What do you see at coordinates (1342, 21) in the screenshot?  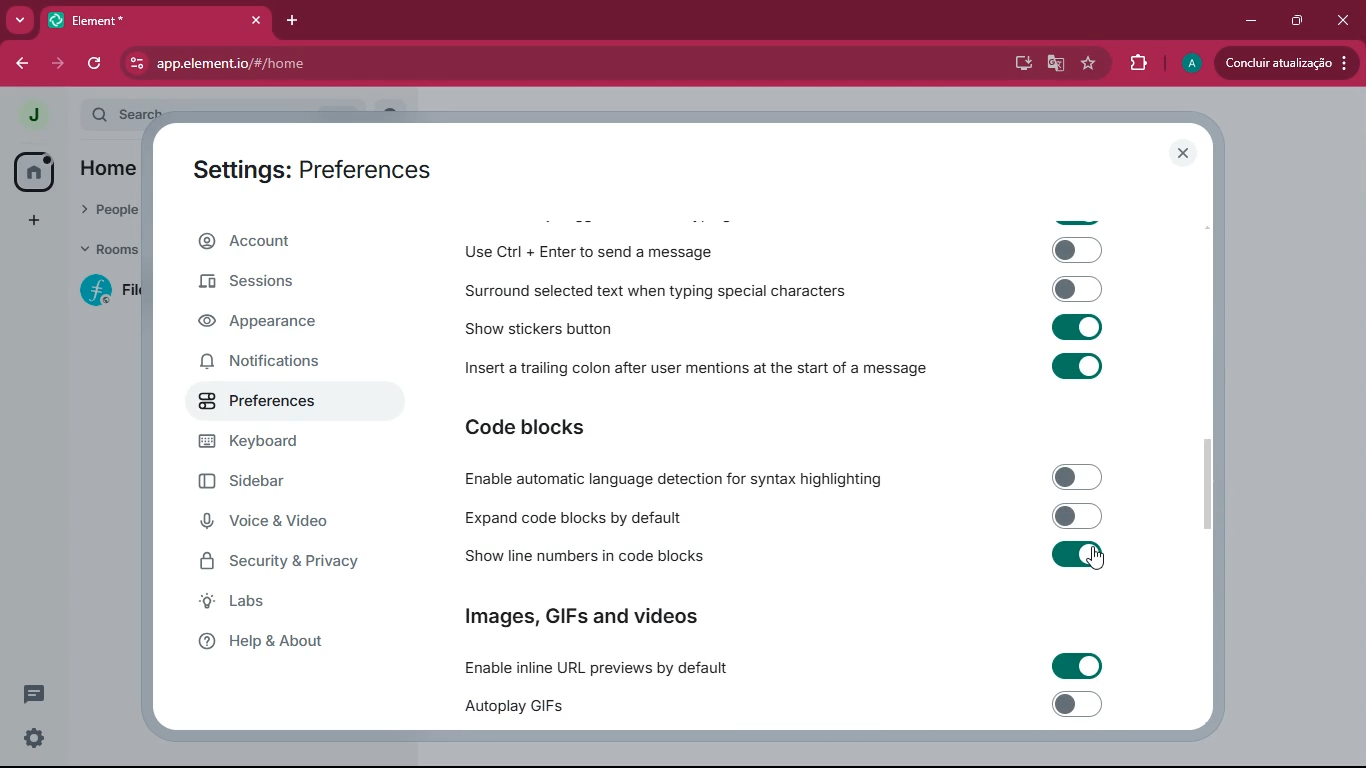 I see `close` at bounding box center [1342, 21].